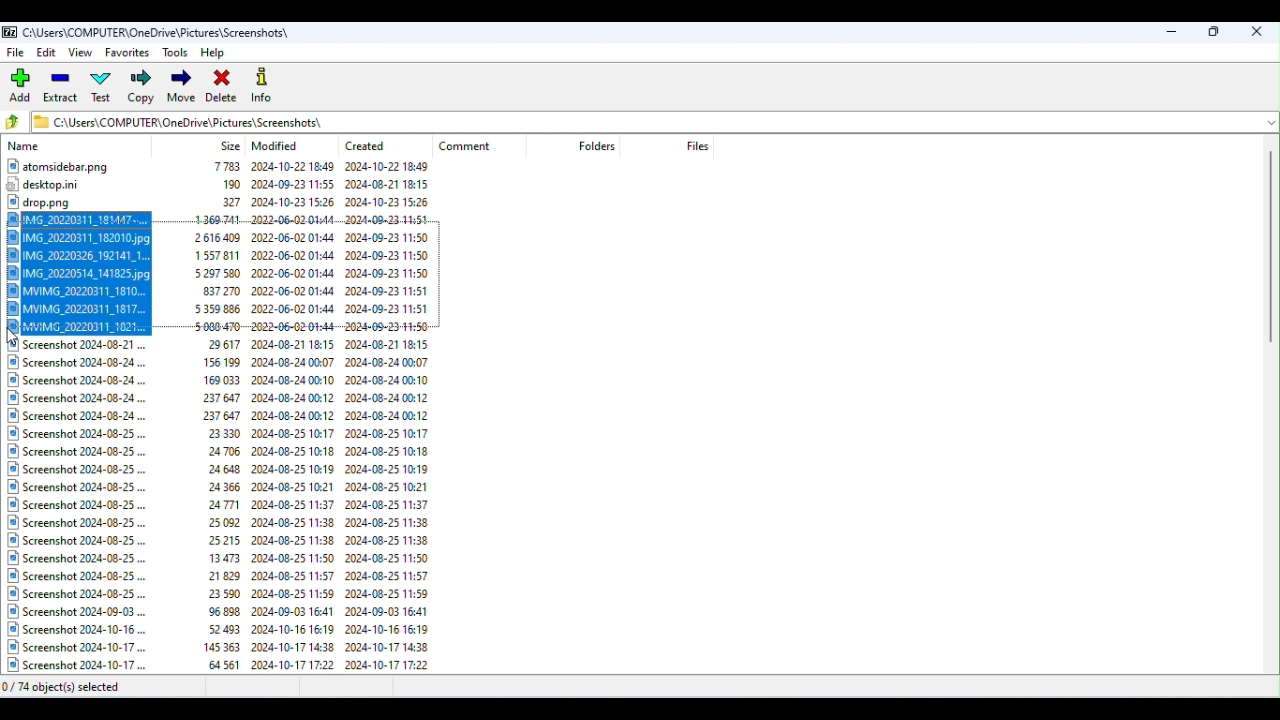 This screenshot has height=720, width=1280. Describe the element at coordinates (126, 55) in the screenshot. I see `Favorites` at that location.